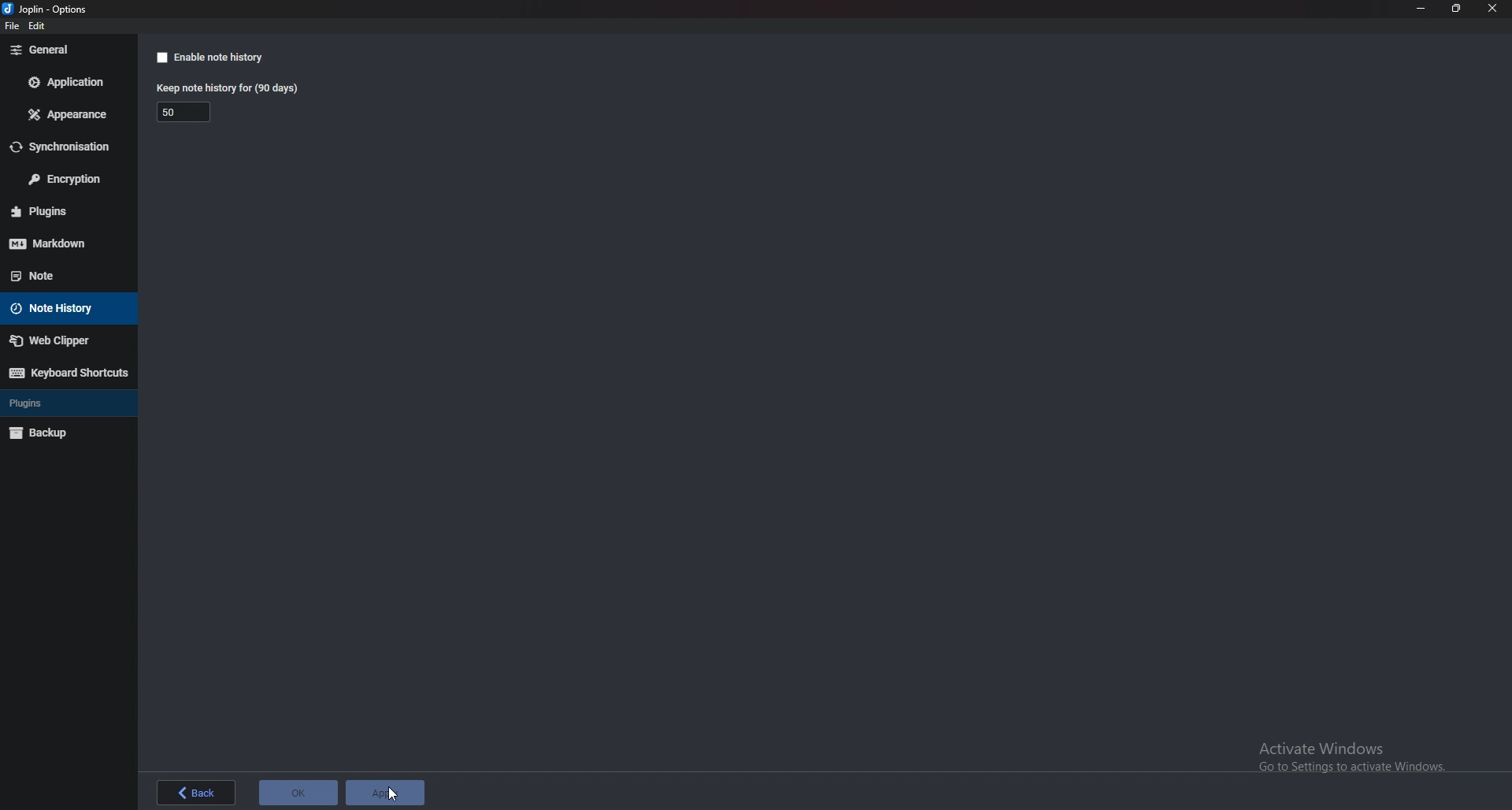 Image resolution: width=1512 pixels, height=810 pixels. Describe the element at coordinates (298, 791) in the screenshot. I see `ok` at that location.